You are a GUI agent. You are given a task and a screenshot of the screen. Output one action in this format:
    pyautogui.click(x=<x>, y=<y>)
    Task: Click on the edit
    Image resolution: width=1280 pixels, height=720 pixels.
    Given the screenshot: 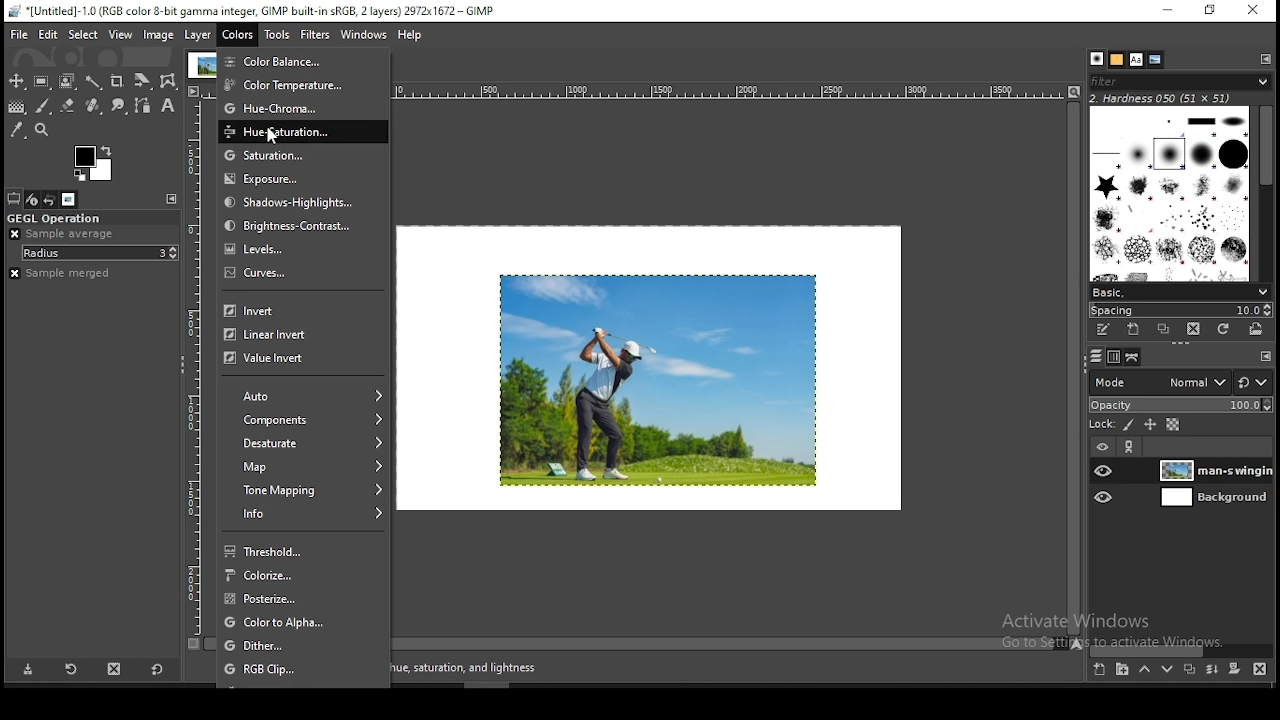 What is the action you would take?
    pyautogui.click(x=48, y=34)
    